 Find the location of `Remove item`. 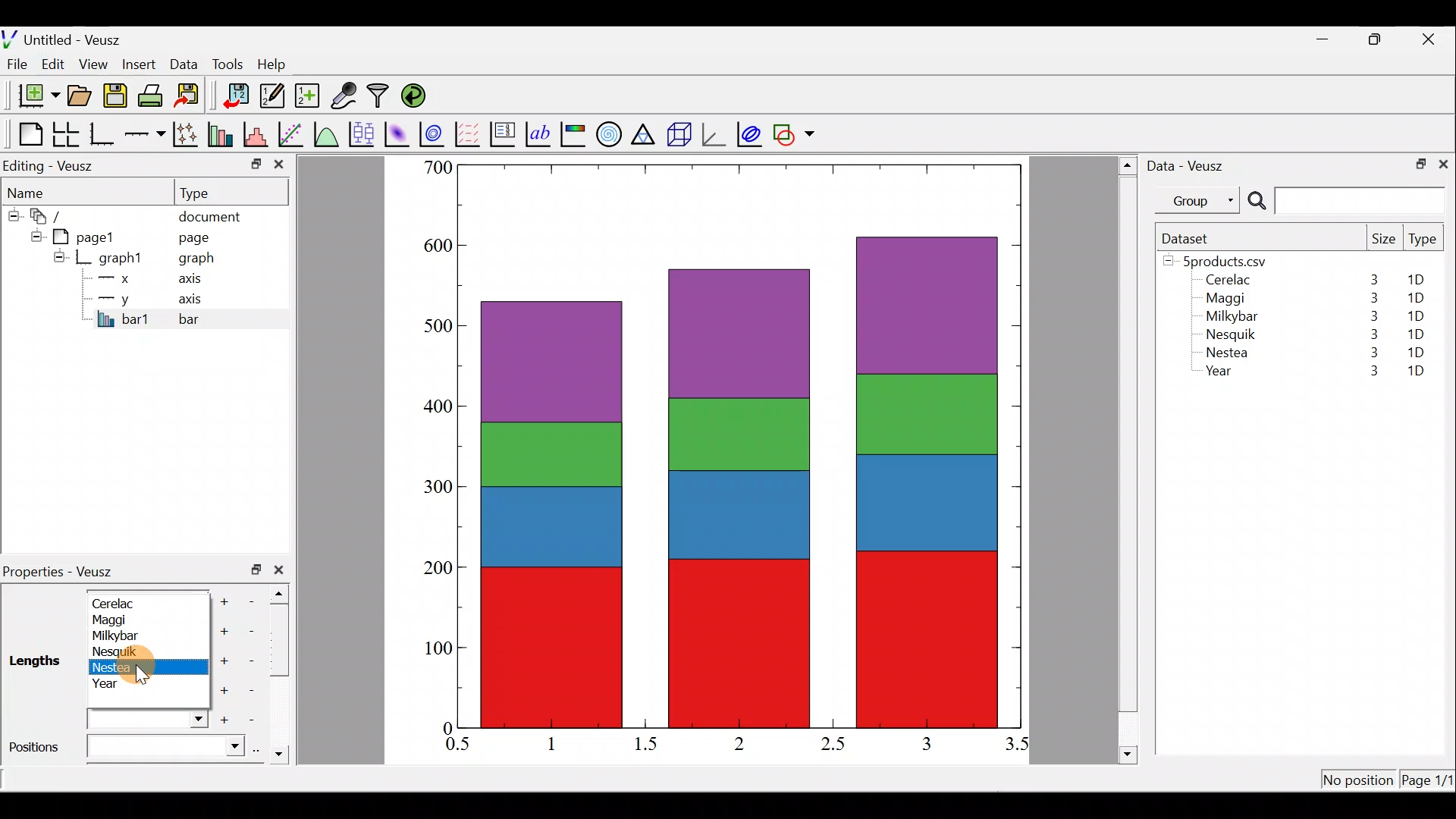

Remove item is located at coordinates (256, 720).